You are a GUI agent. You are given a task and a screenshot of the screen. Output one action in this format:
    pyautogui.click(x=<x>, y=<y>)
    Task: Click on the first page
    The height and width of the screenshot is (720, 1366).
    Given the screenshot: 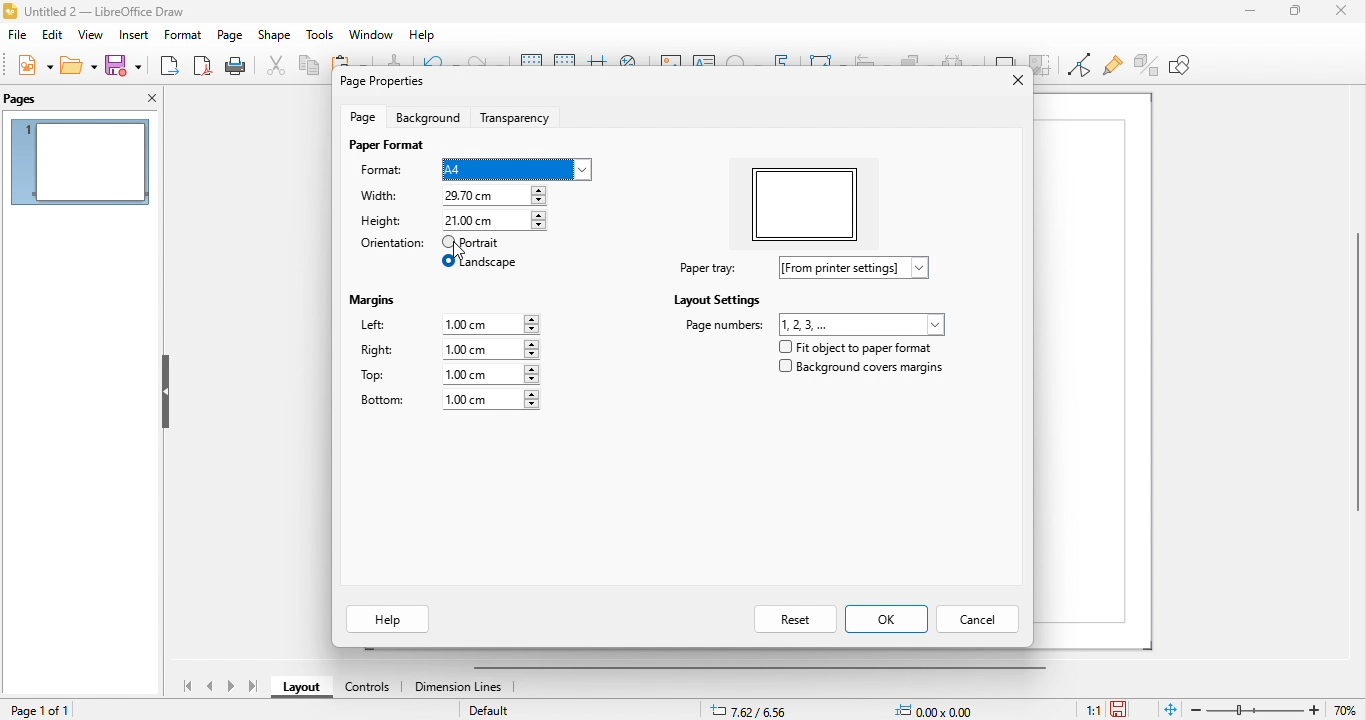 What is the action you would take?
    pyautogui.click(x=184, y=684)
    